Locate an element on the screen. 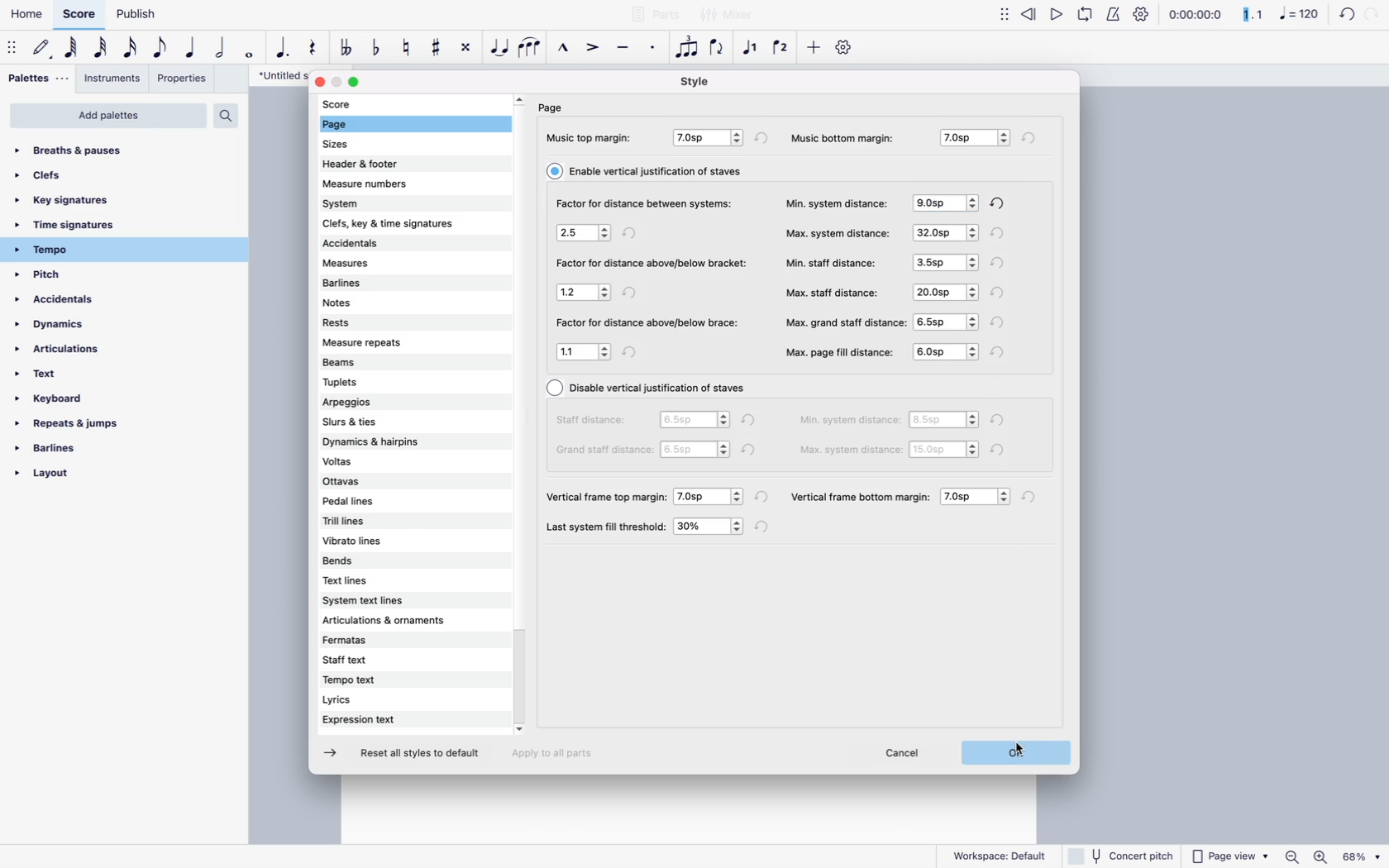 This screenshot has height=868, width=1389. Publish is located at coordinates (135, 14).